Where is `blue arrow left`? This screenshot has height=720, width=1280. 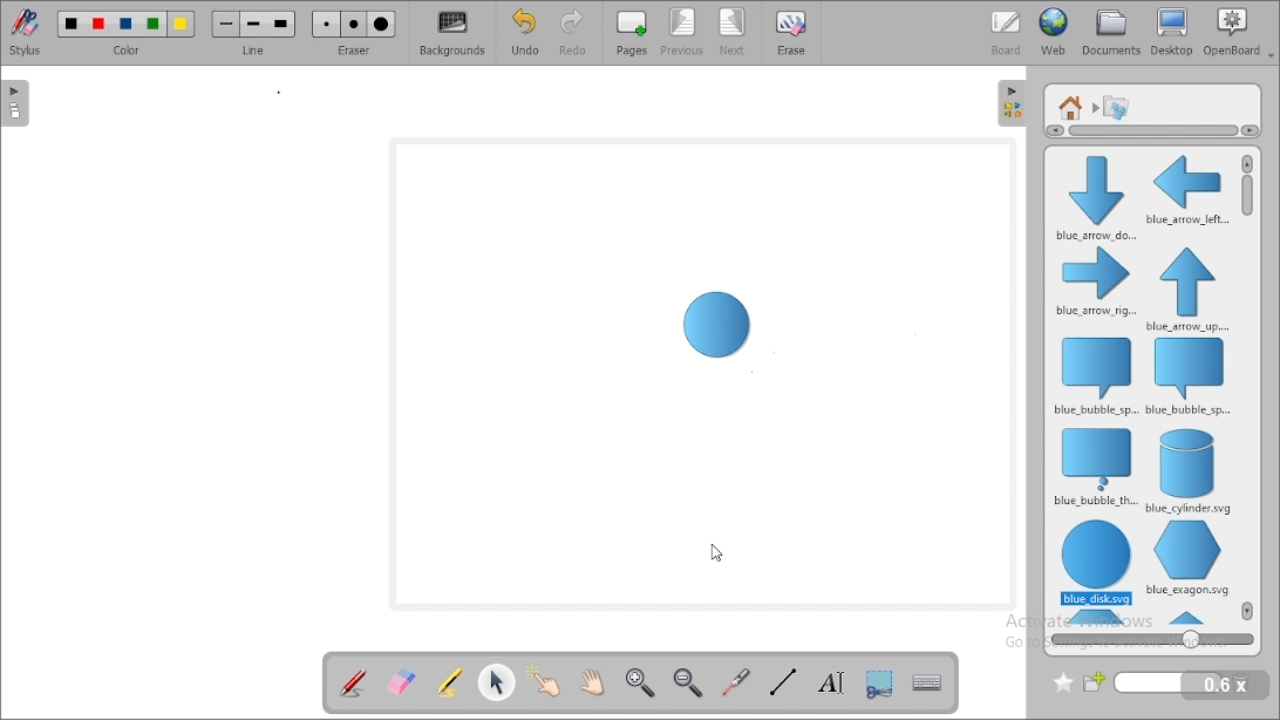 blue arrow left is located at coordinates (1187, 189).